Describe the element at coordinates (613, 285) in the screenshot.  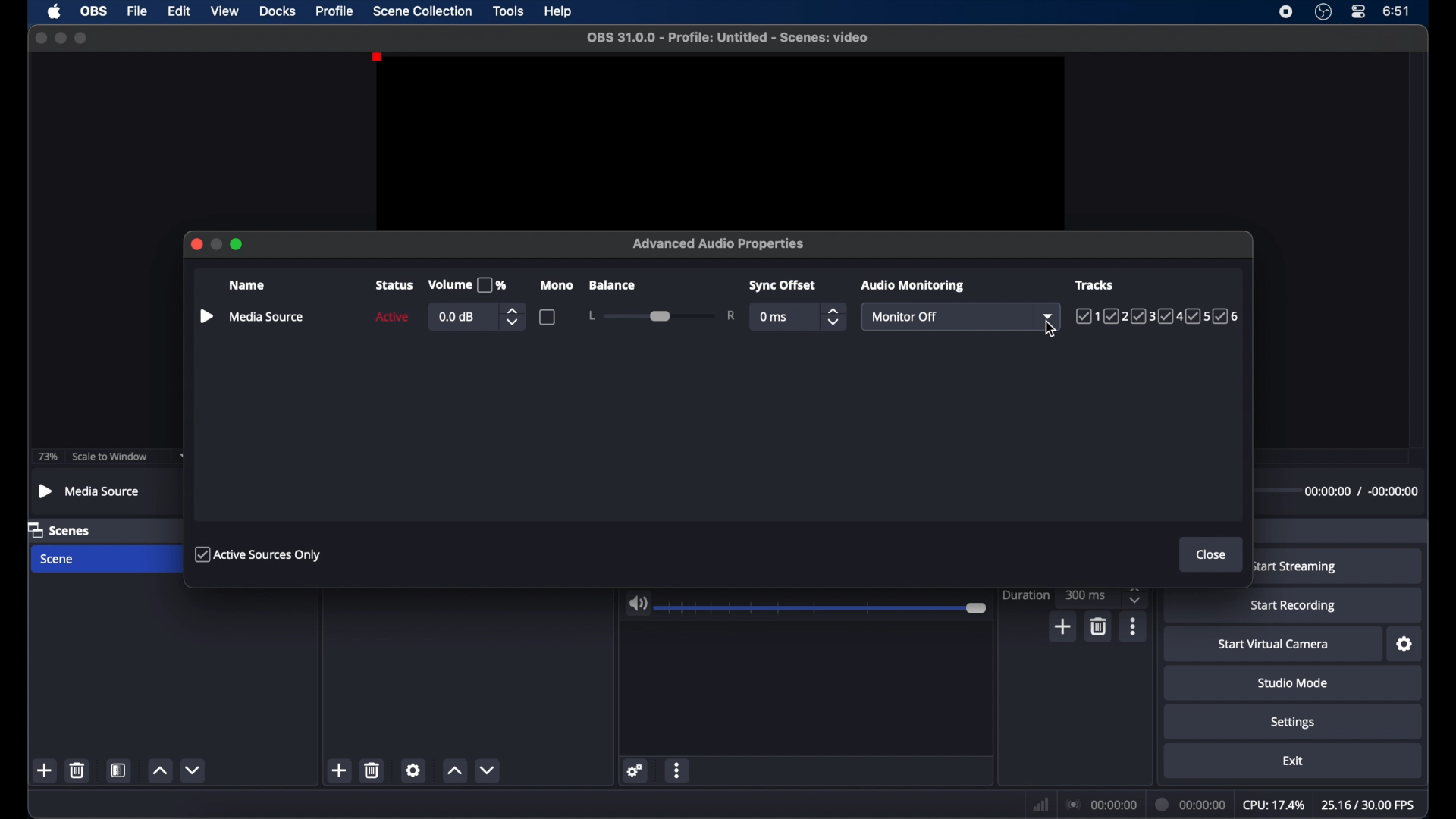
I see `balance` at that location.